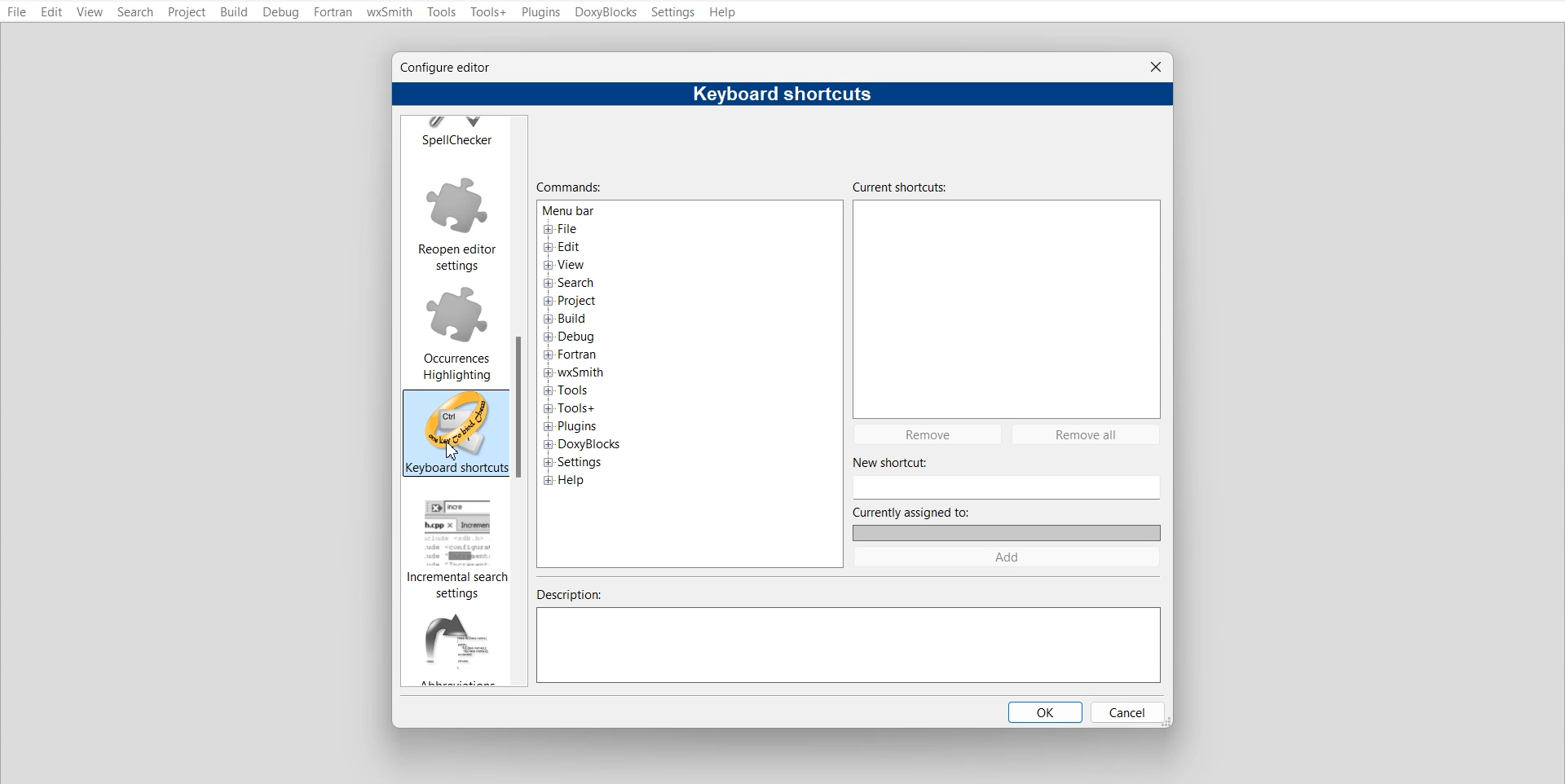 The width and height of the screenshot is (1565, 784). I want to click on Cancel, so click(1126, 711).